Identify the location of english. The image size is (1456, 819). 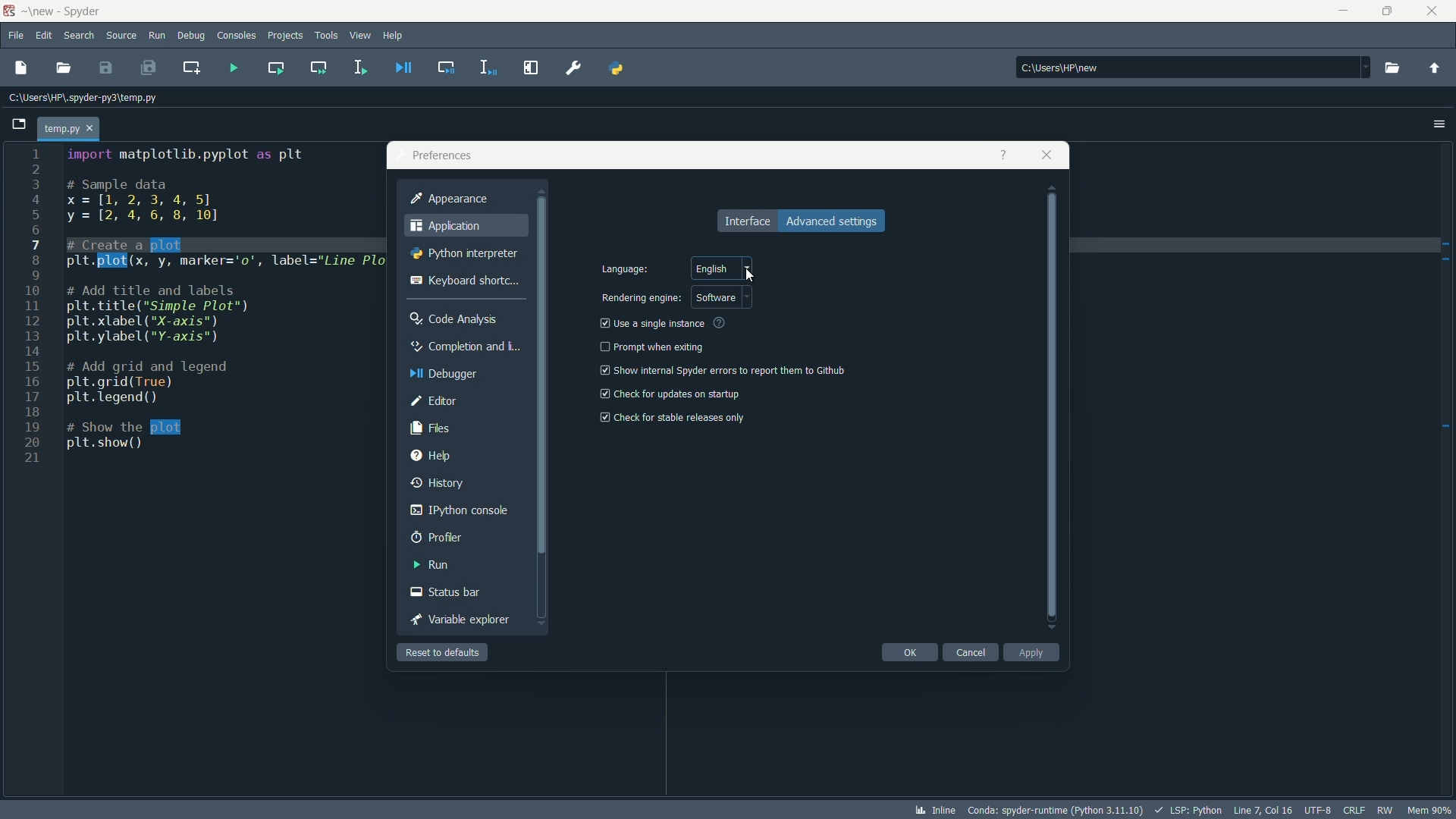
(2614, 987).